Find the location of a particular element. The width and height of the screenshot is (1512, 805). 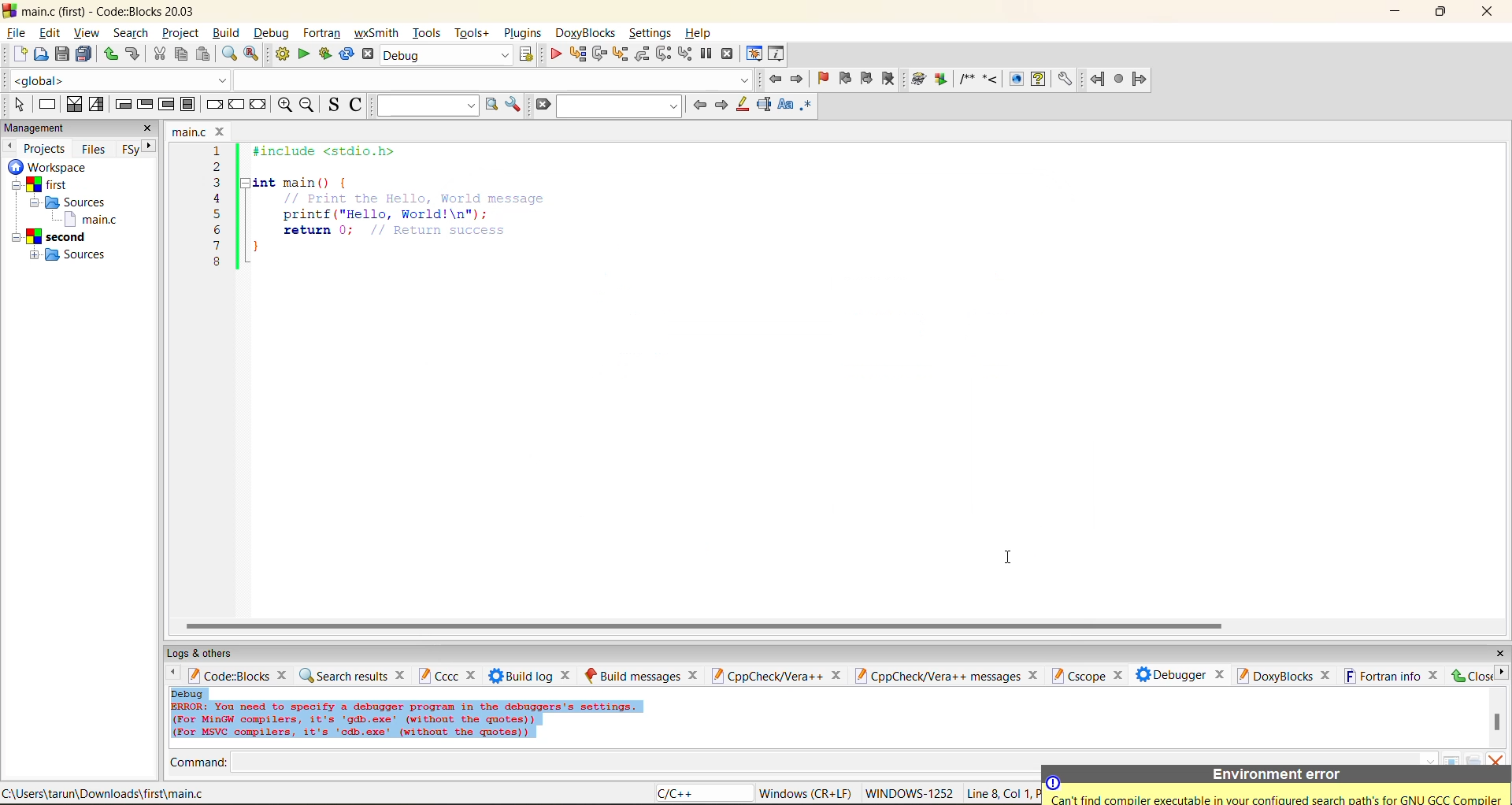

close is located at coordinates (1470, 675).